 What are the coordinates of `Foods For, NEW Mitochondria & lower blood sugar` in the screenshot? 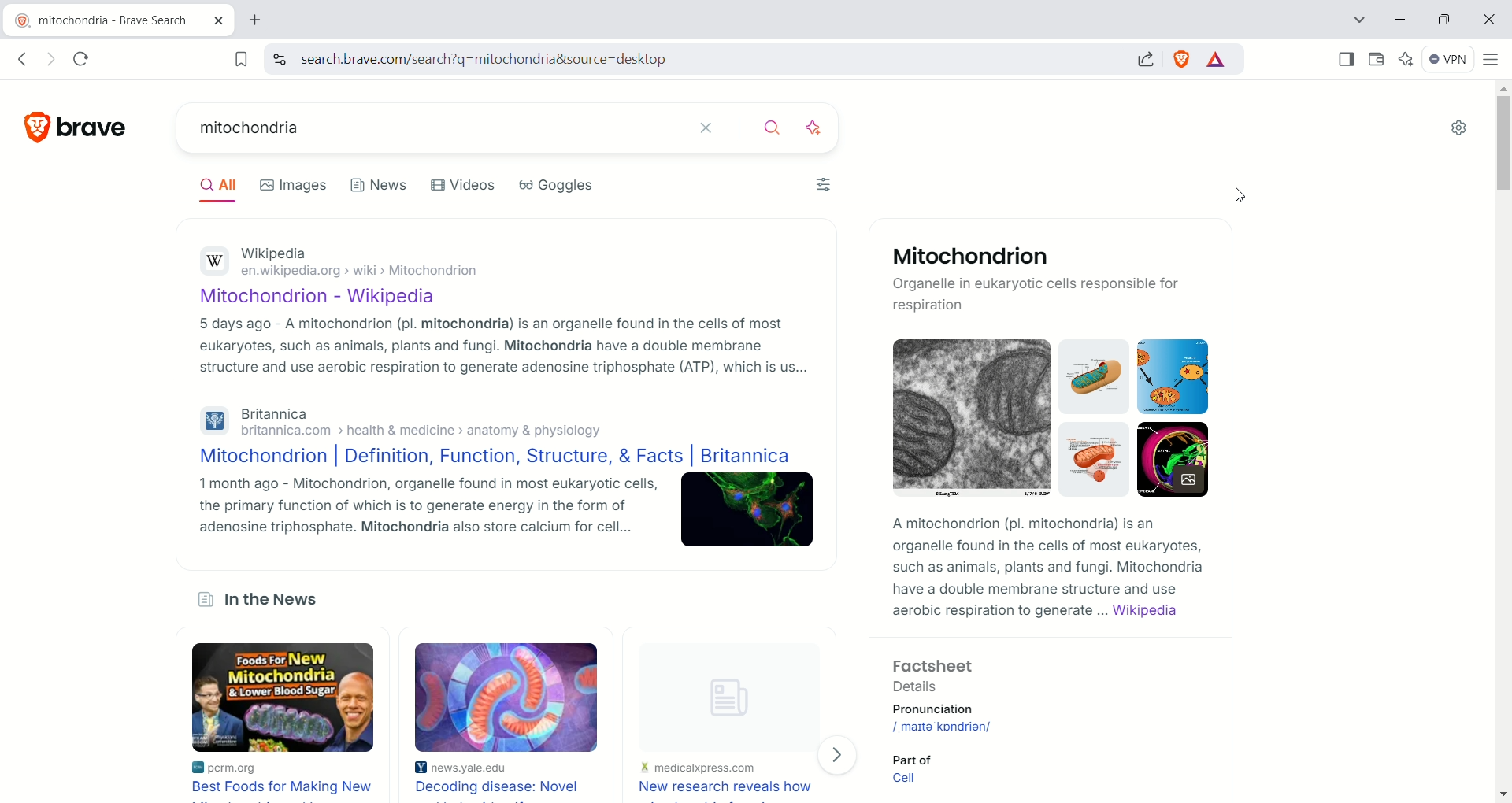 It's located at (284, 691).